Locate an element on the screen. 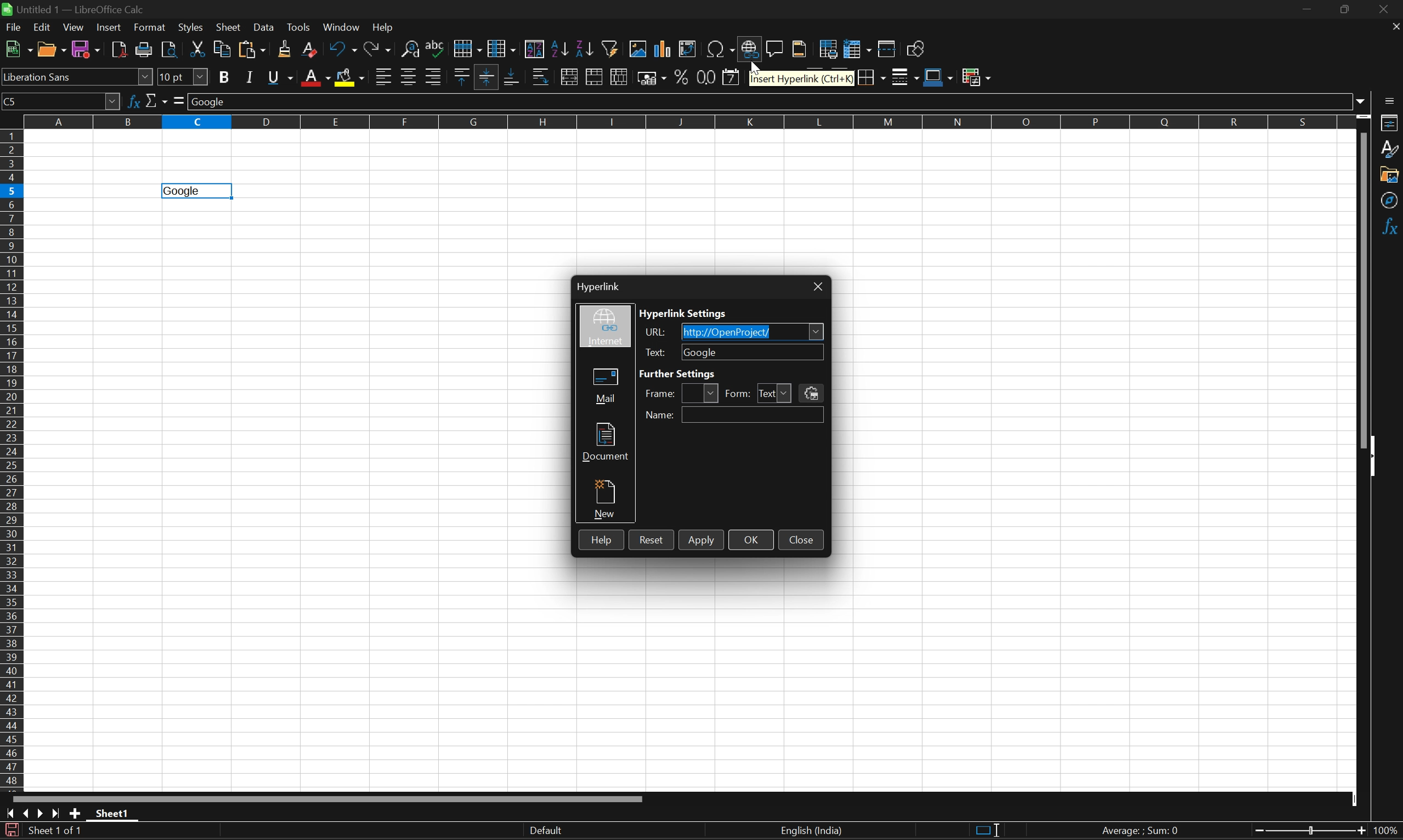 This screenshot has width=1403, height=840. Properties is located at coordinates (1391, 123).